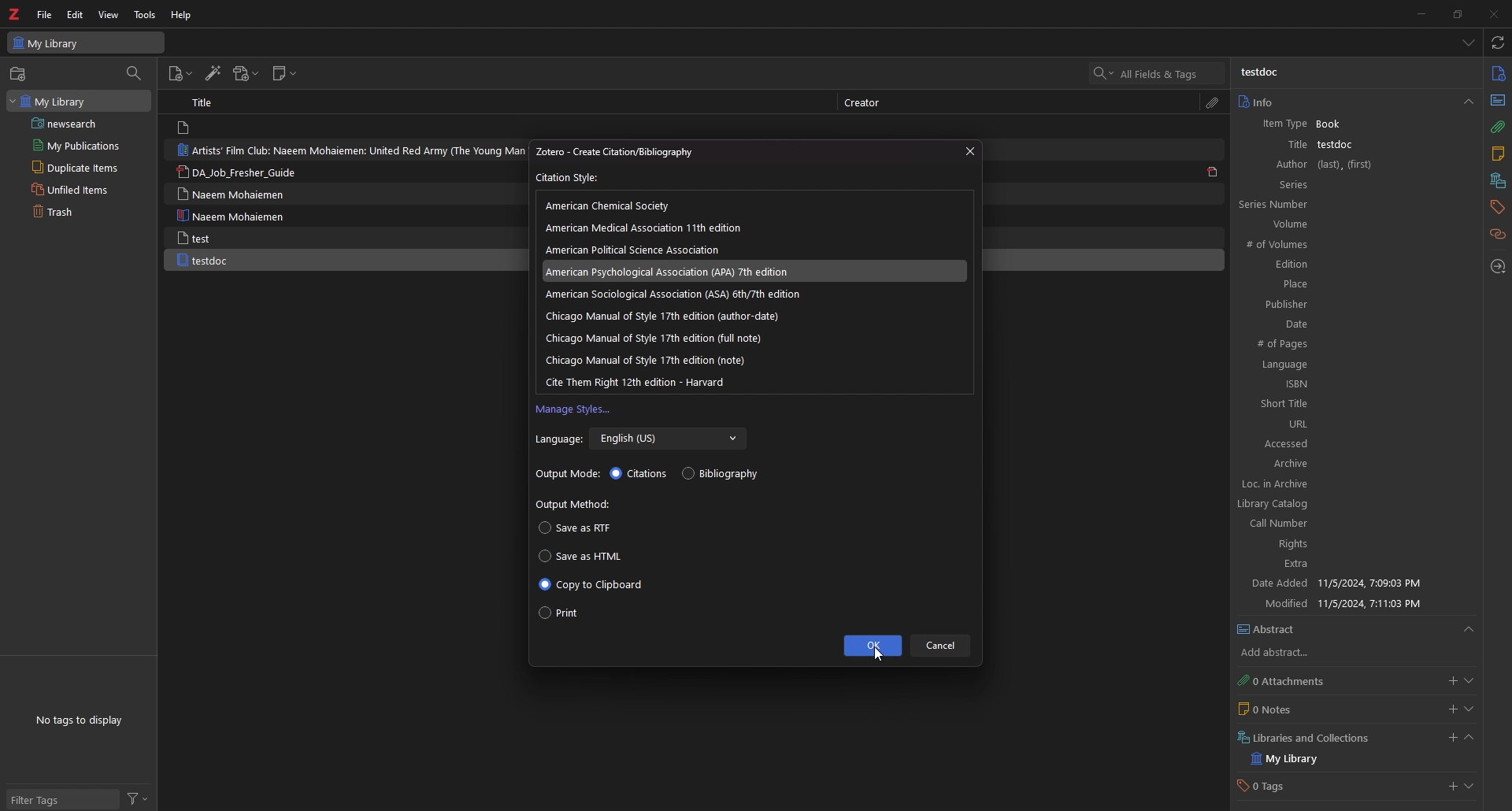 This screenshot has height=811, width=1512. What do you see at coordinates (1349, 324) in the screenshot?
I see `Date` at bounding box center [1349, 324].